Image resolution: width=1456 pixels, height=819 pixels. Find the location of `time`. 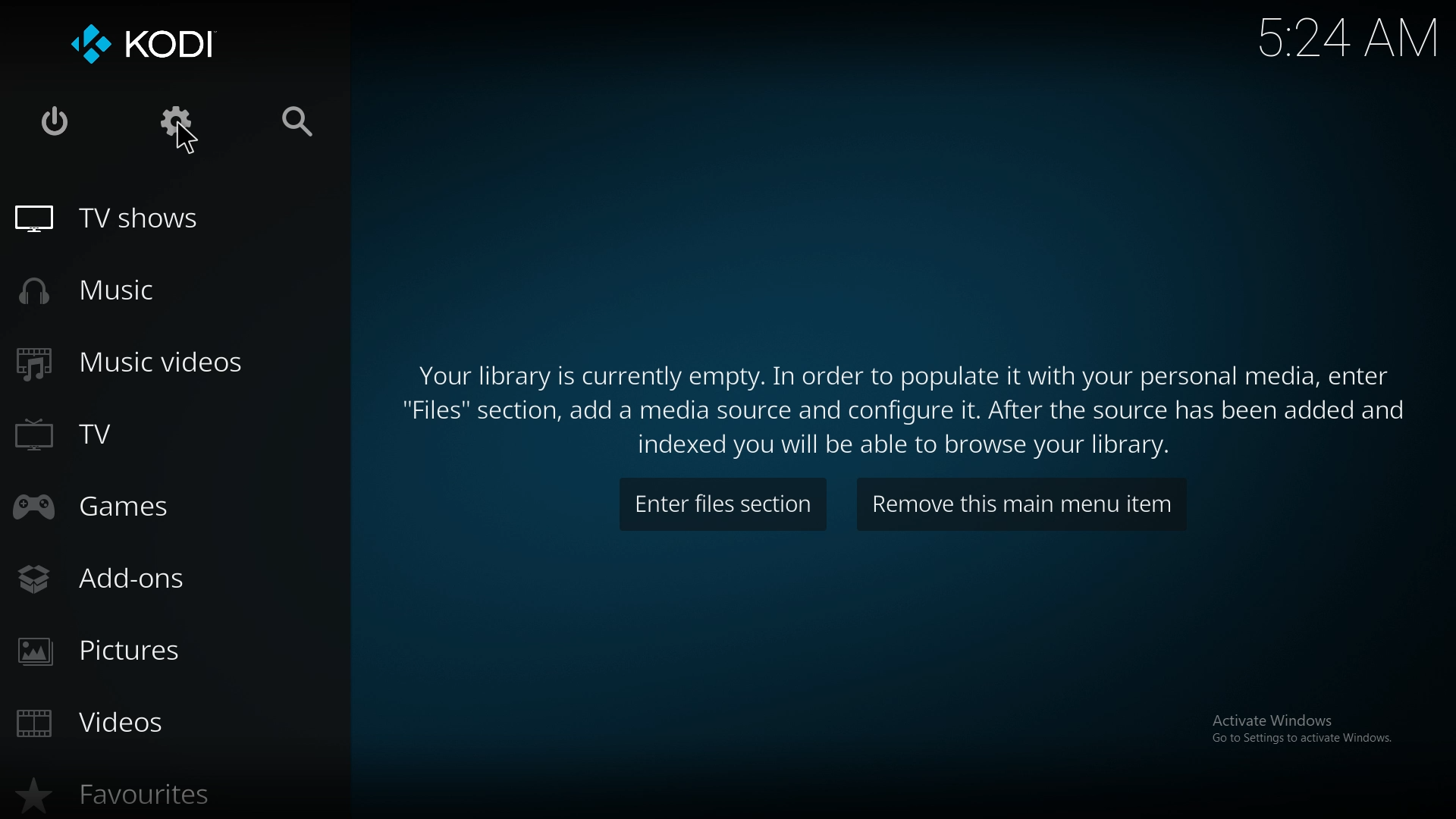

time is located at coordinates (1348, 39).